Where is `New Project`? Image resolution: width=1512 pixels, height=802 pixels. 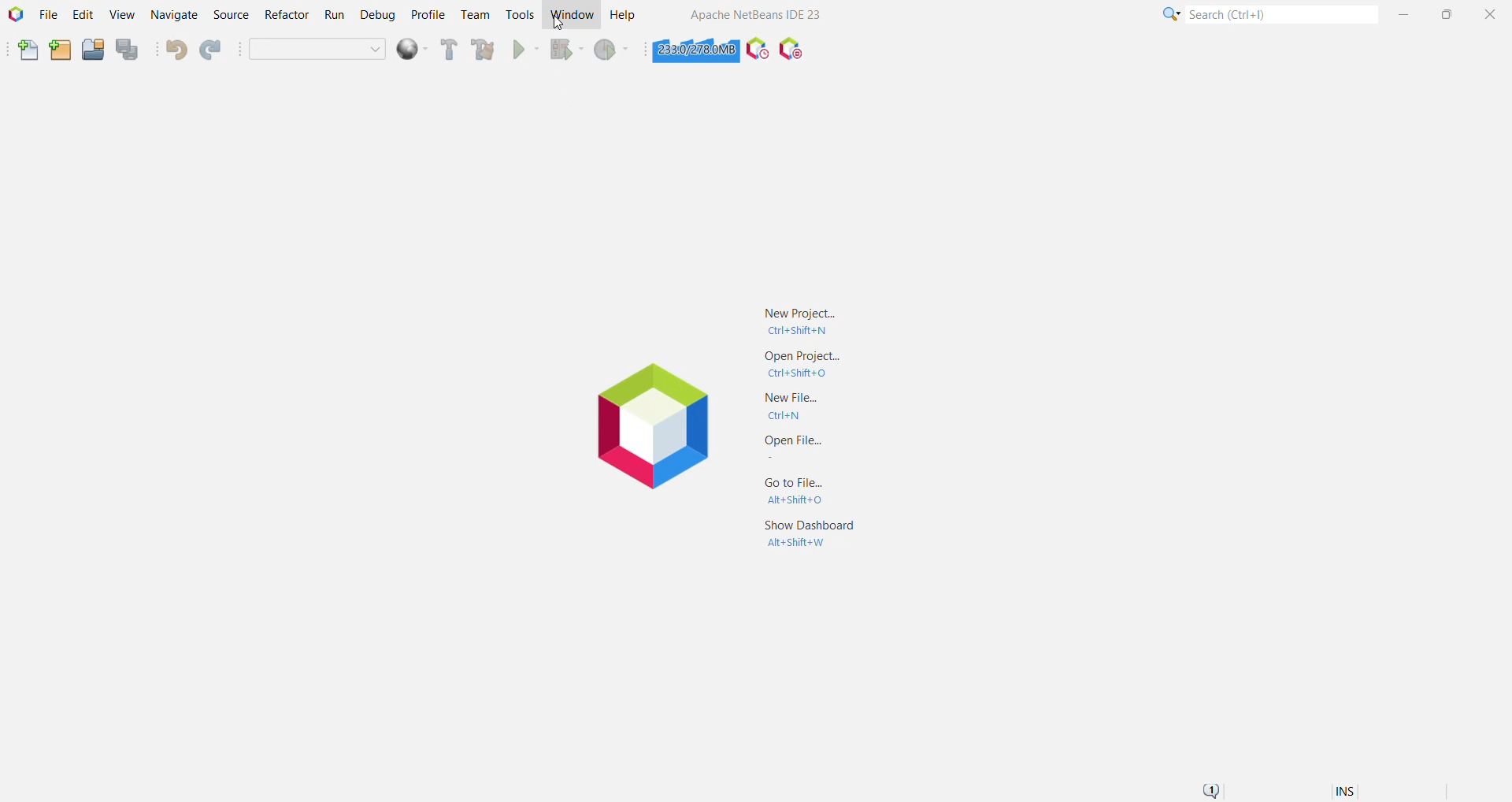
New Project is located at coordinates (58, 50).